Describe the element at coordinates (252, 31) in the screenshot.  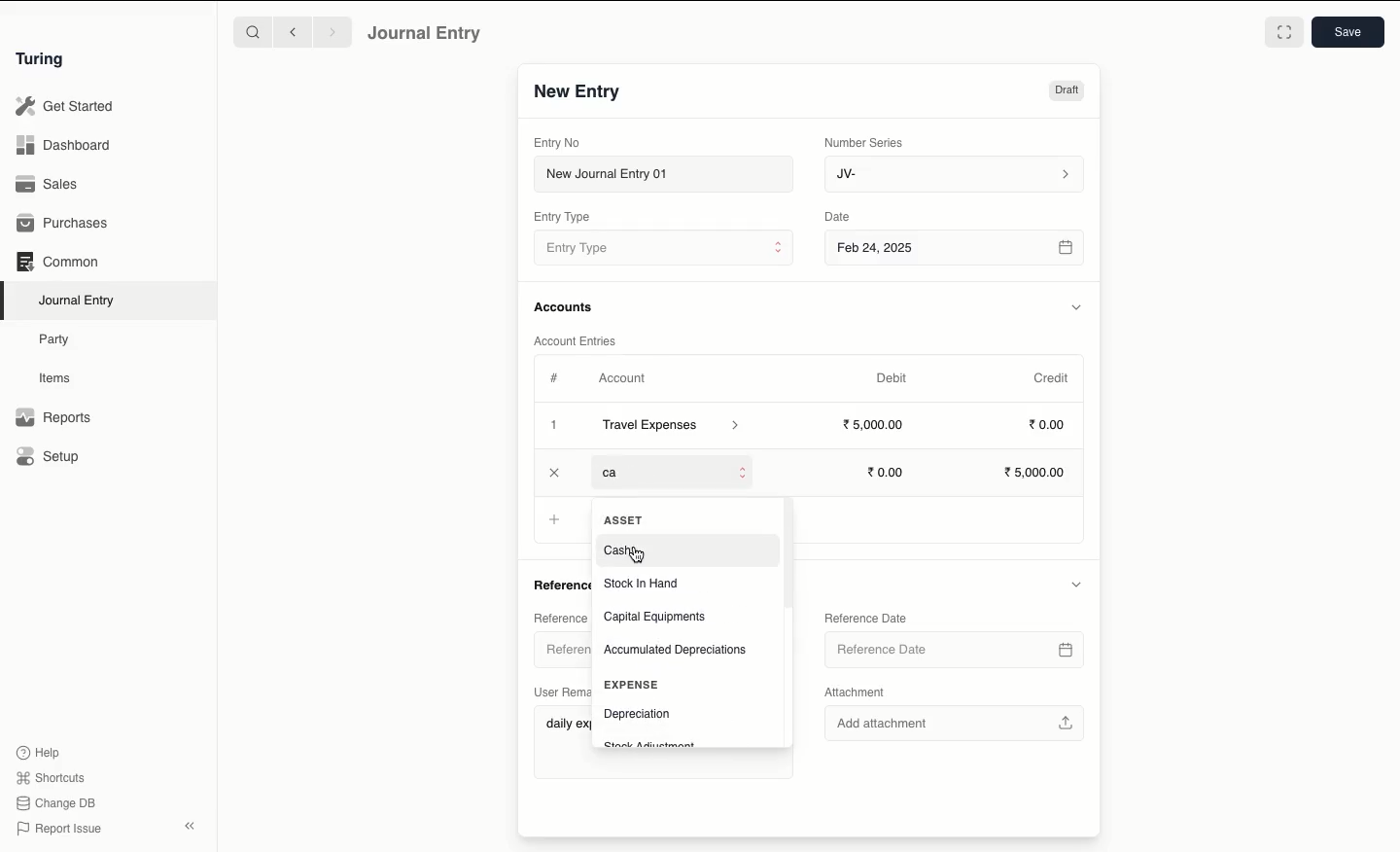
I see `Search` at that location.